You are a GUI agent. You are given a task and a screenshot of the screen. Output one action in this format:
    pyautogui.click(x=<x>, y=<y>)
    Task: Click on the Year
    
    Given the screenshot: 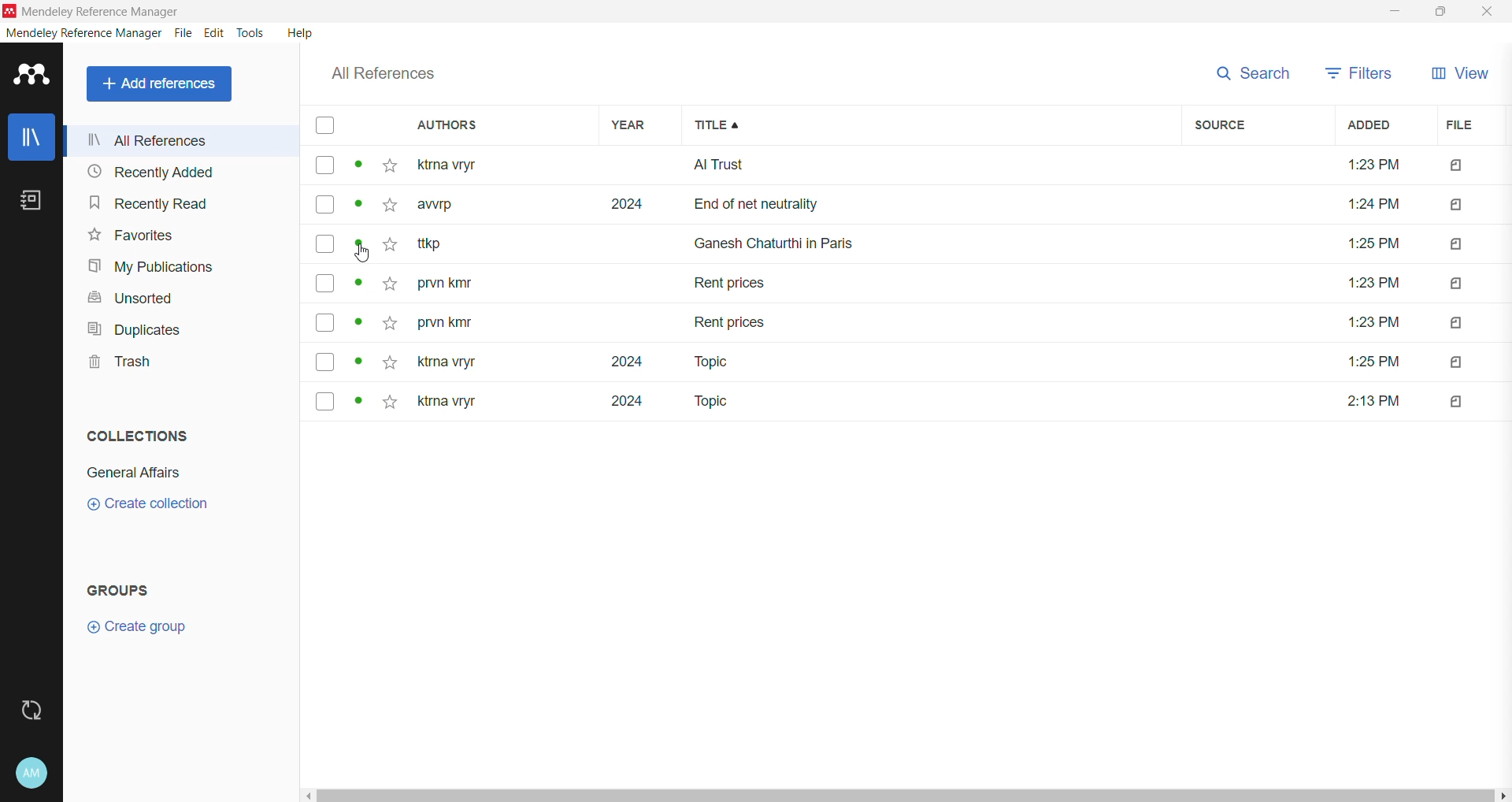 What is the action you would take?
    pyautogui.click(x=637, y=126)
    